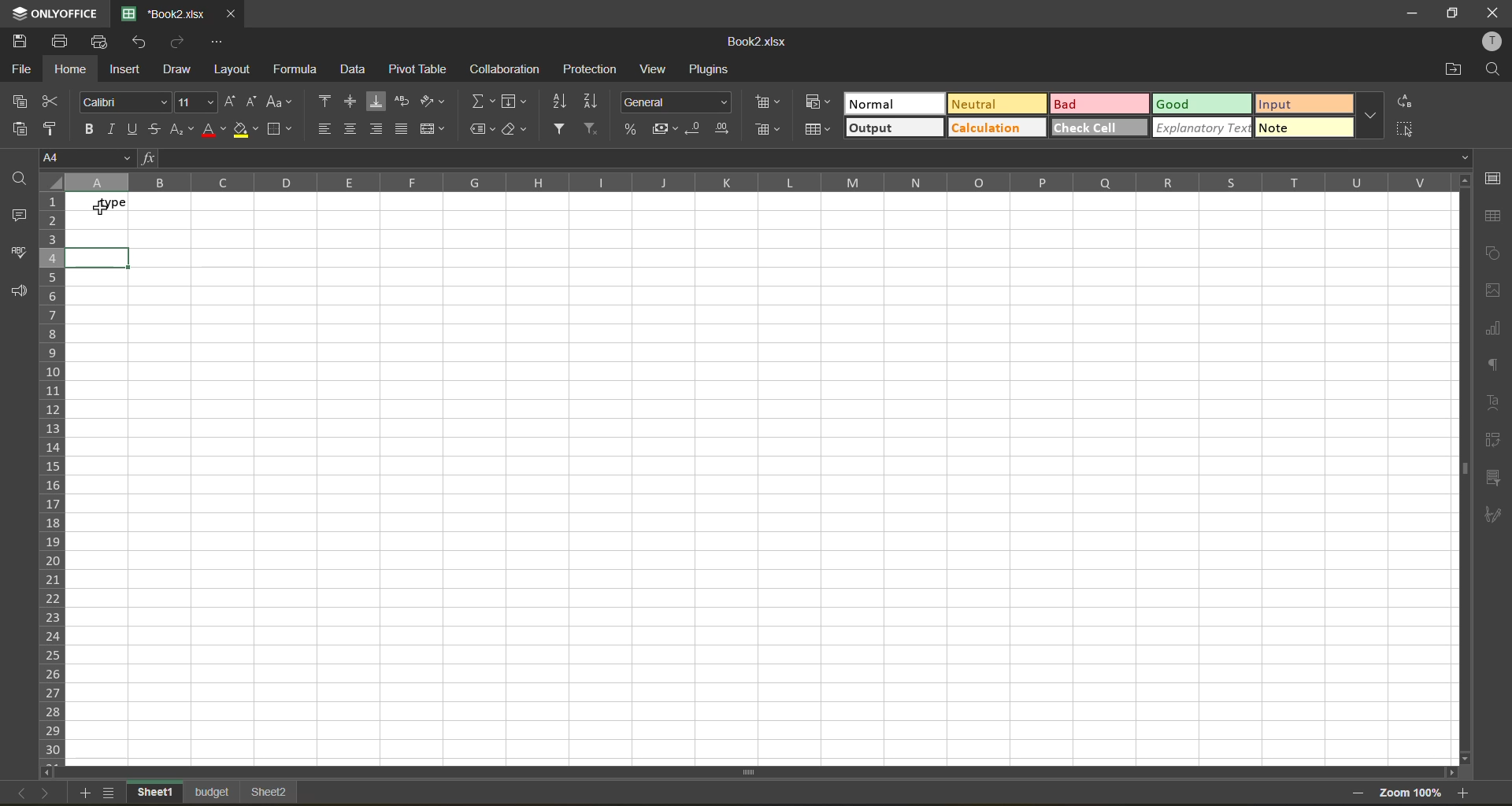 The height and width of the screenshot is (806, 1512). I want to click on home, so click(71, 68).